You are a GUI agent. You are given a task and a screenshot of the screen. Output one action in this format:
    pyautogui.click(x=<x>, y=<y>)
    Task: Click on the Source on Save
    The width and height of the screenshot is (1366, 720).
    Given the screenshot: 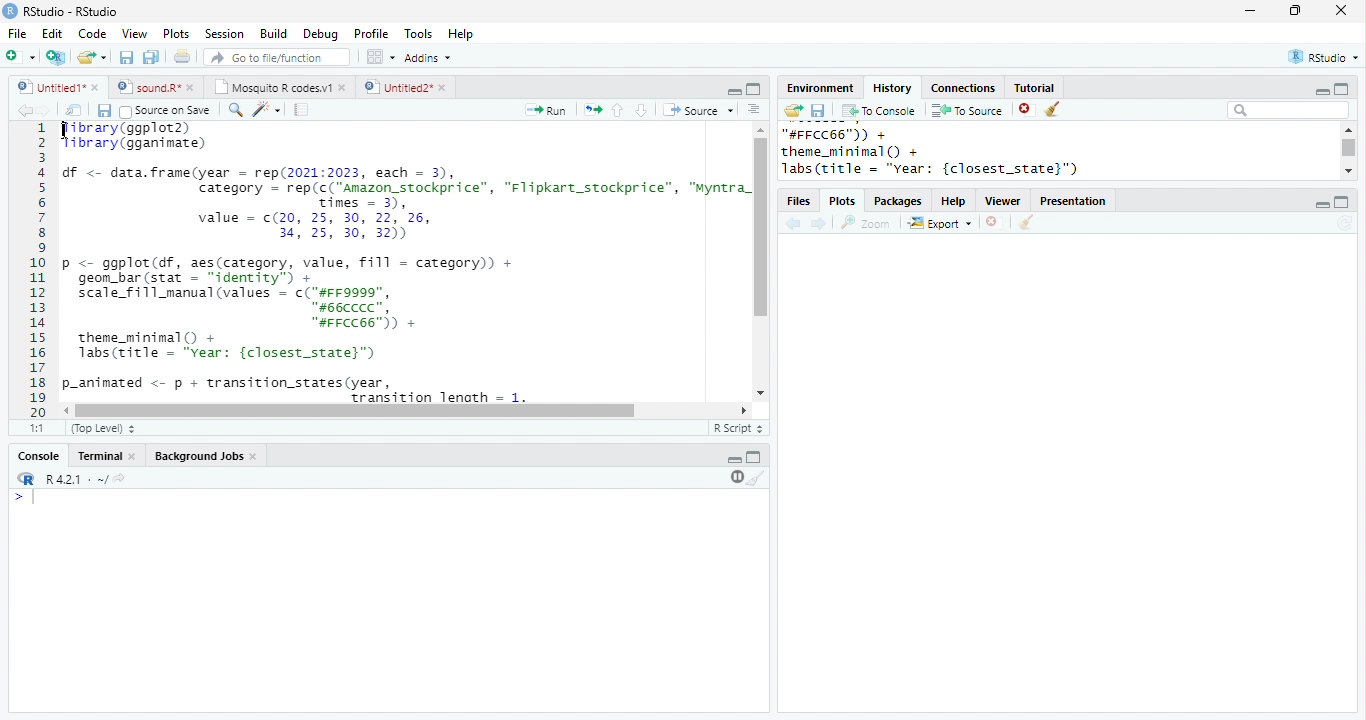 What is the action you would take?
    pyautogui.click(x=165, y=111)
    